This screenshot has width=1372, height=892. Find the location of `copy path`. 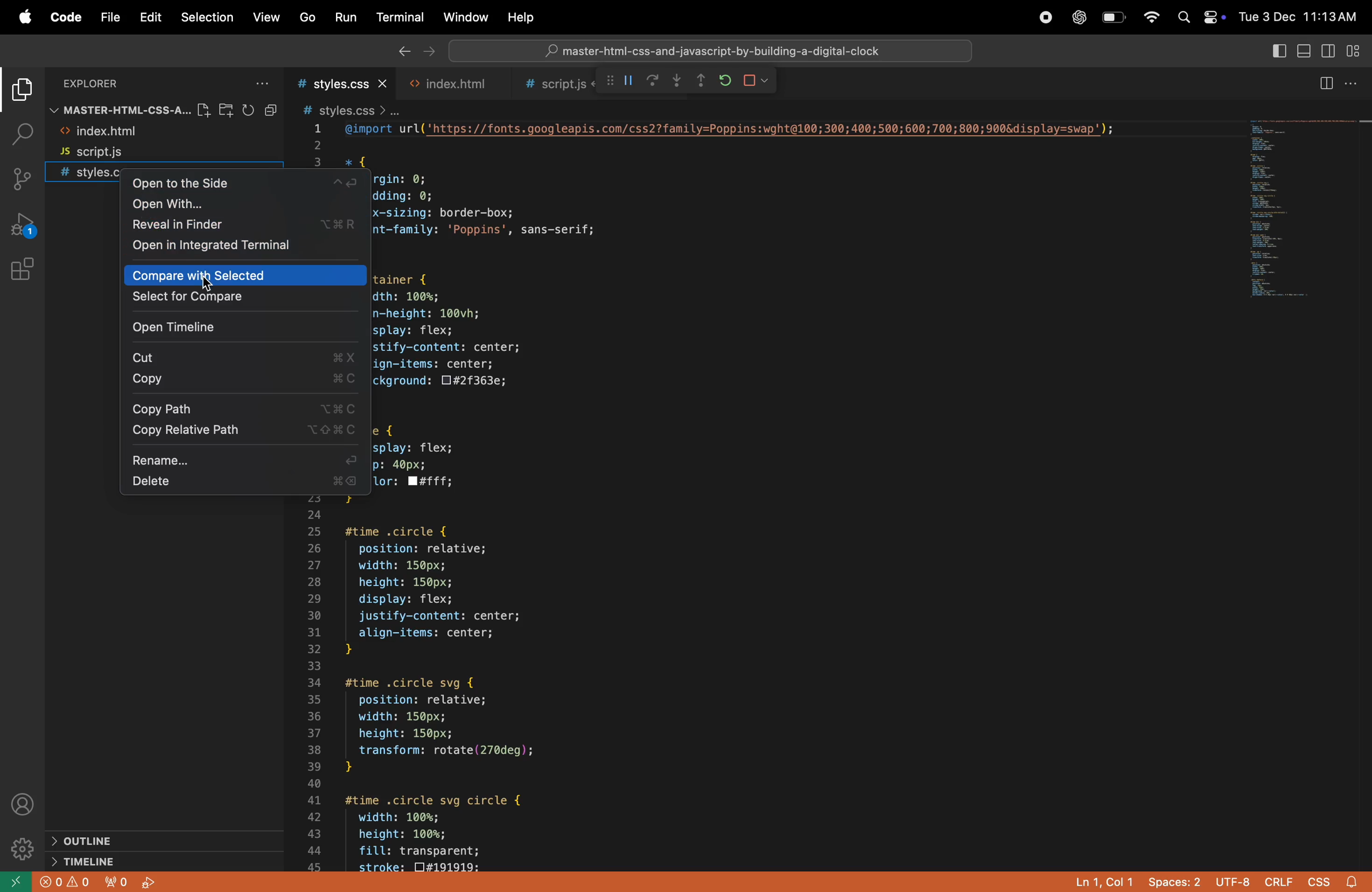

copy path is located at coordinates (240, 409).